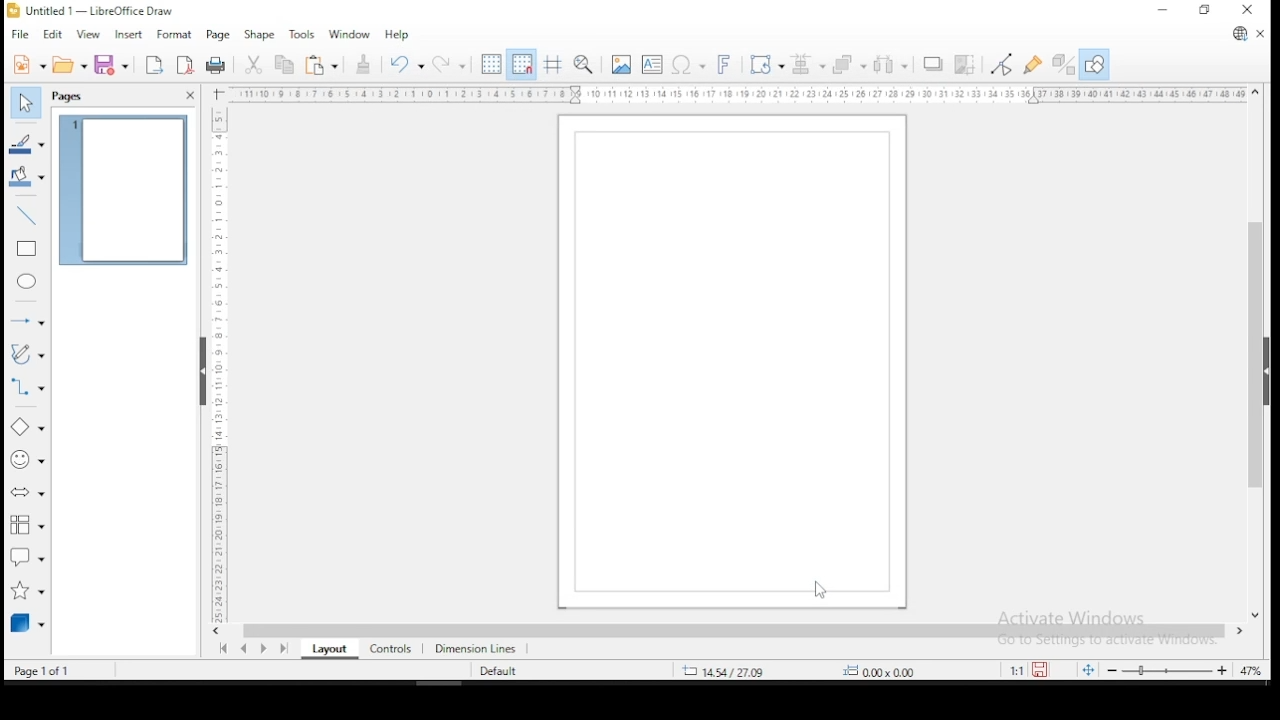  What do you see at coordinates (114, 65) in the screenshot?
I see `save` at bounding box center [114, 65].